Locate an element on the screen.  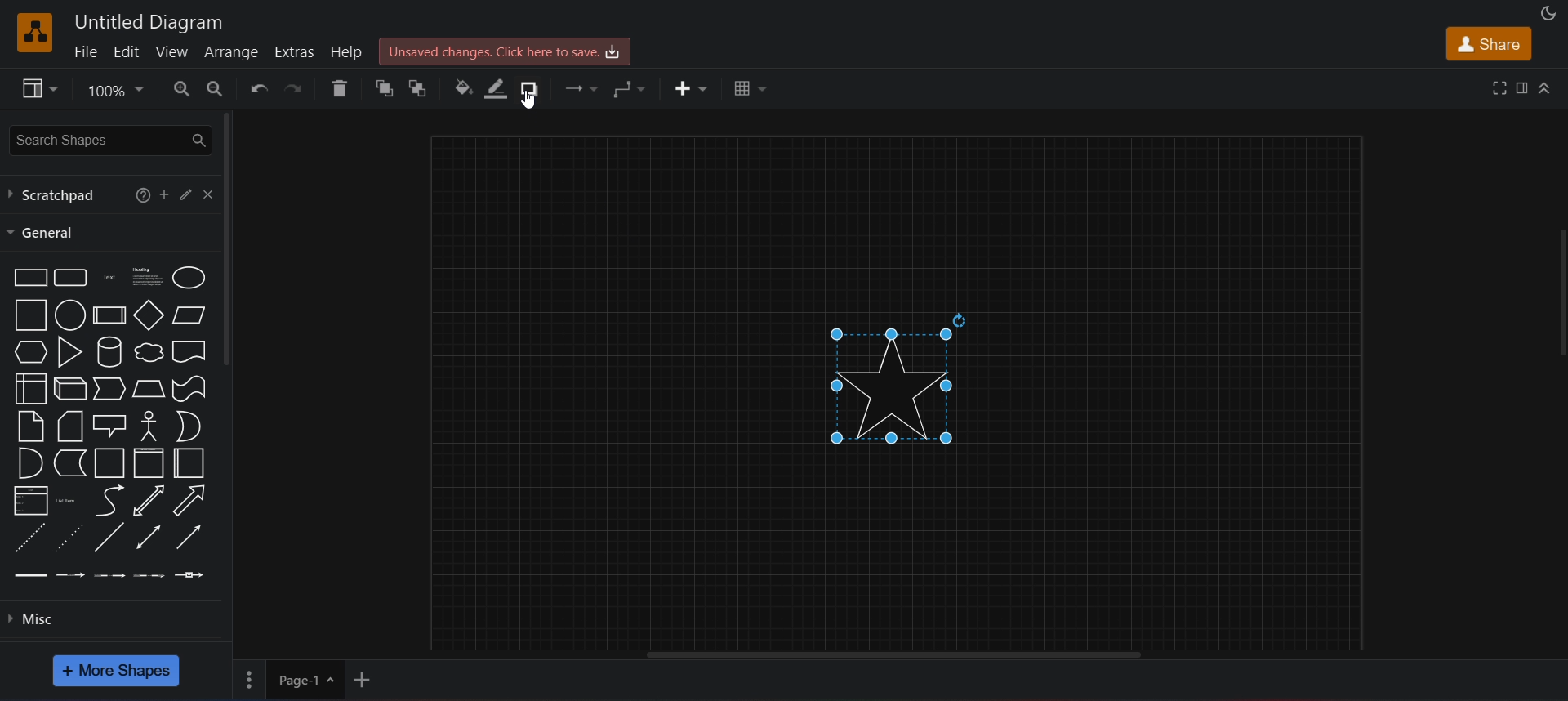
Link is located at coordinates (31, 578).